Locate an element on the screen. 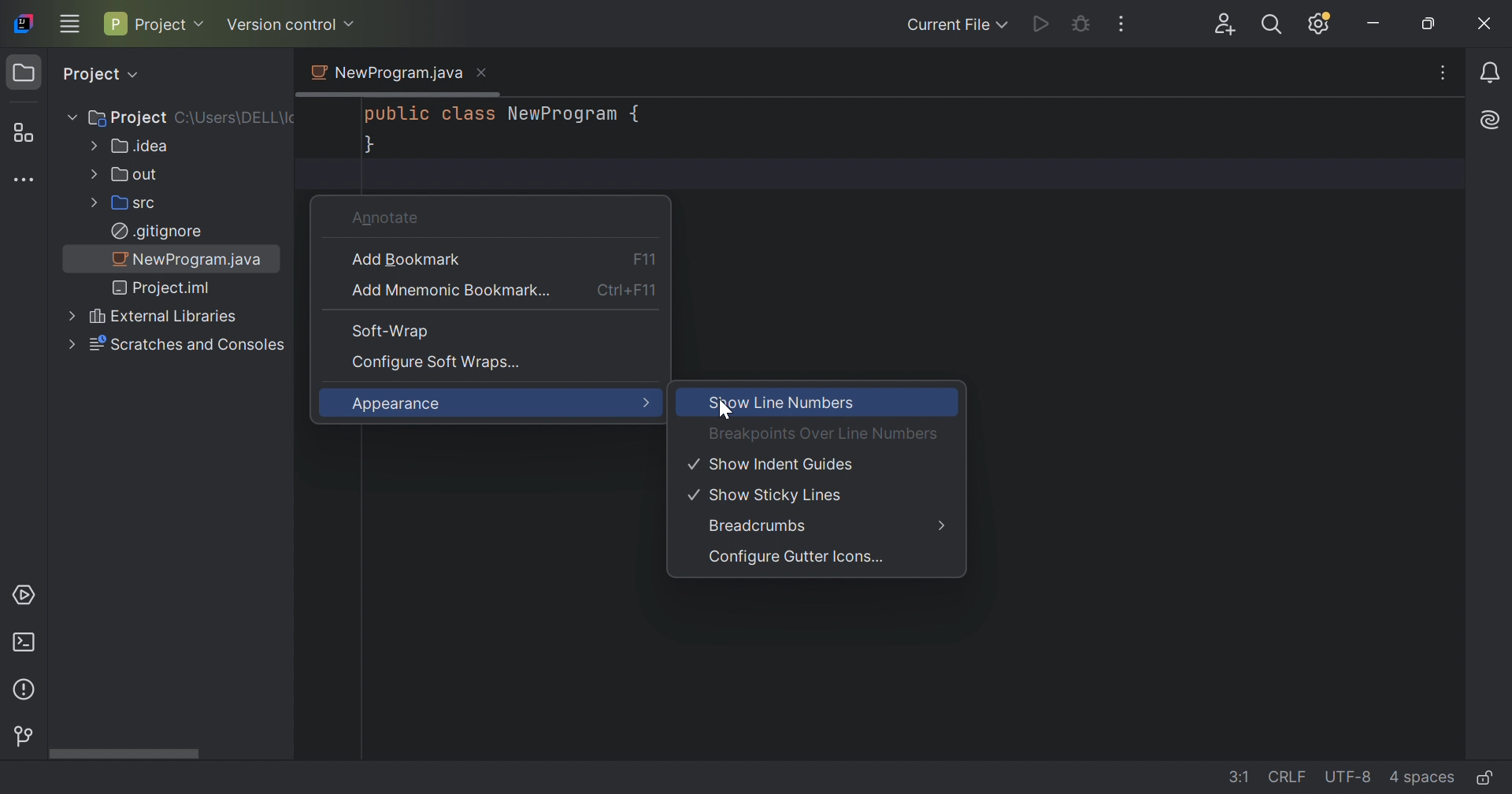 The image size is (1512, 794). Configure Soft Wraps is located at coordinates (438, 362).